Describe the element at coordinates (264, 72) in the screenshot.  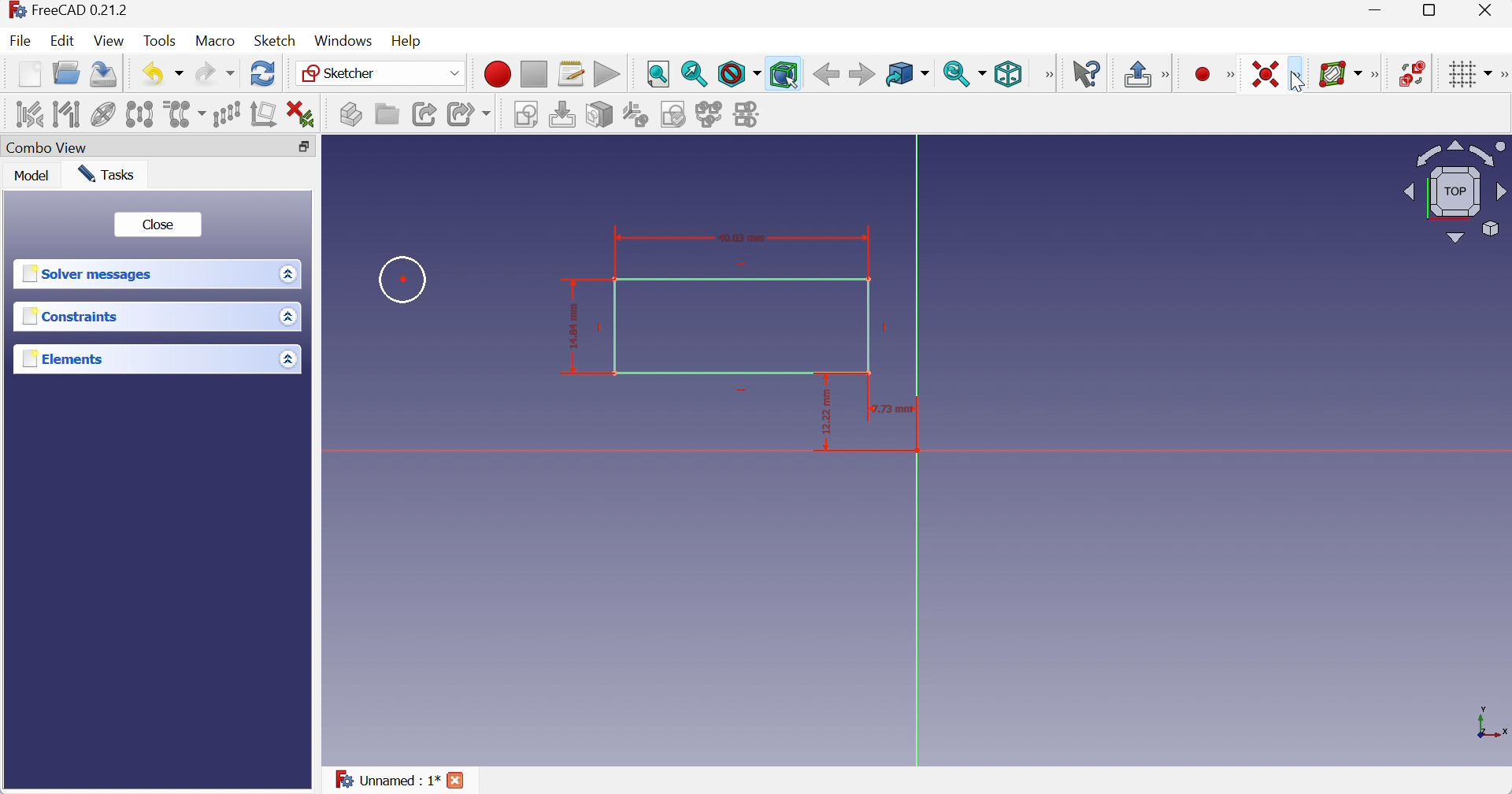
I see `Refresh` at that location.